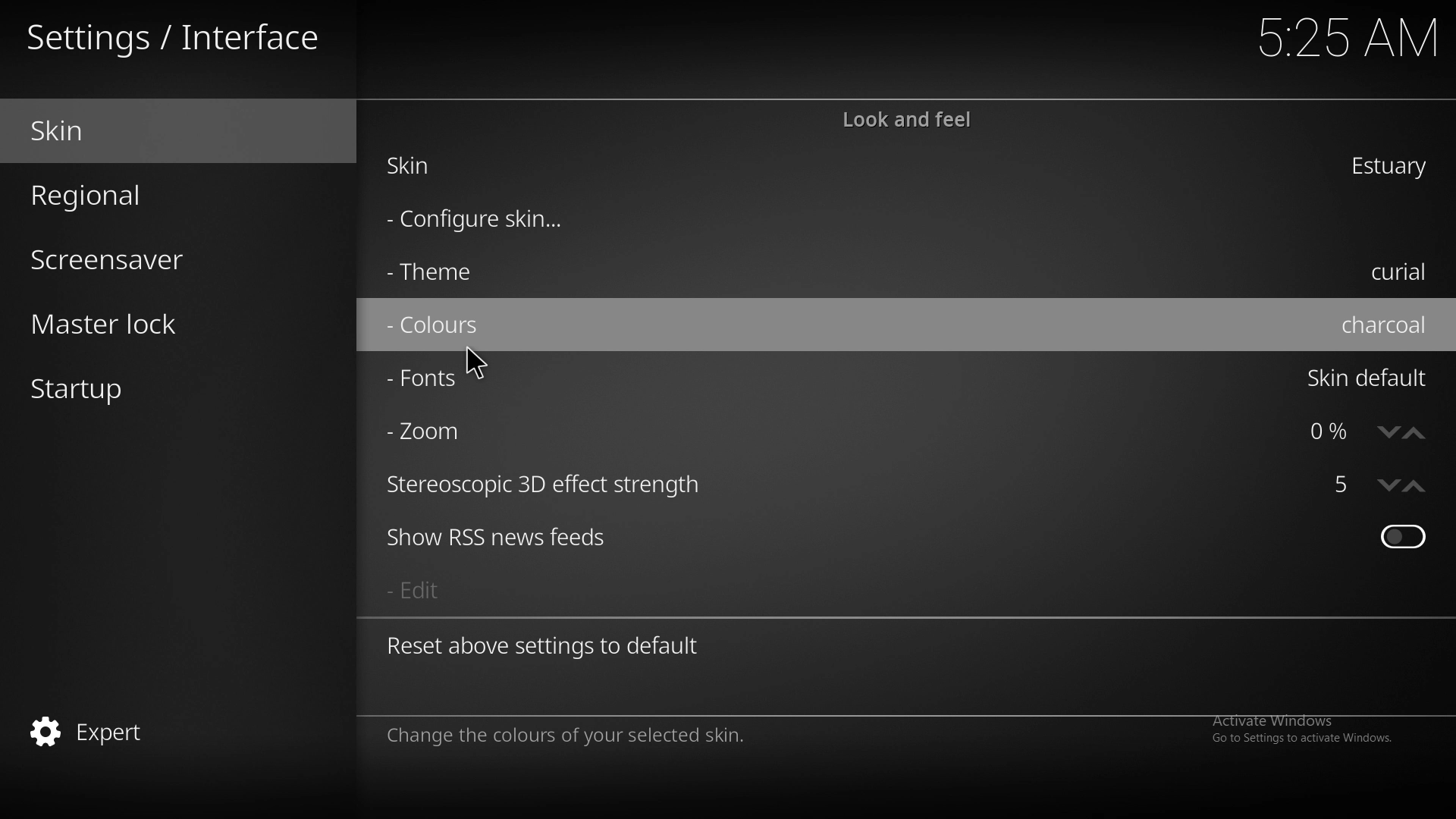  Describe the element at coordinates (128, 196) in the screenshot. I see `regional` at that location.